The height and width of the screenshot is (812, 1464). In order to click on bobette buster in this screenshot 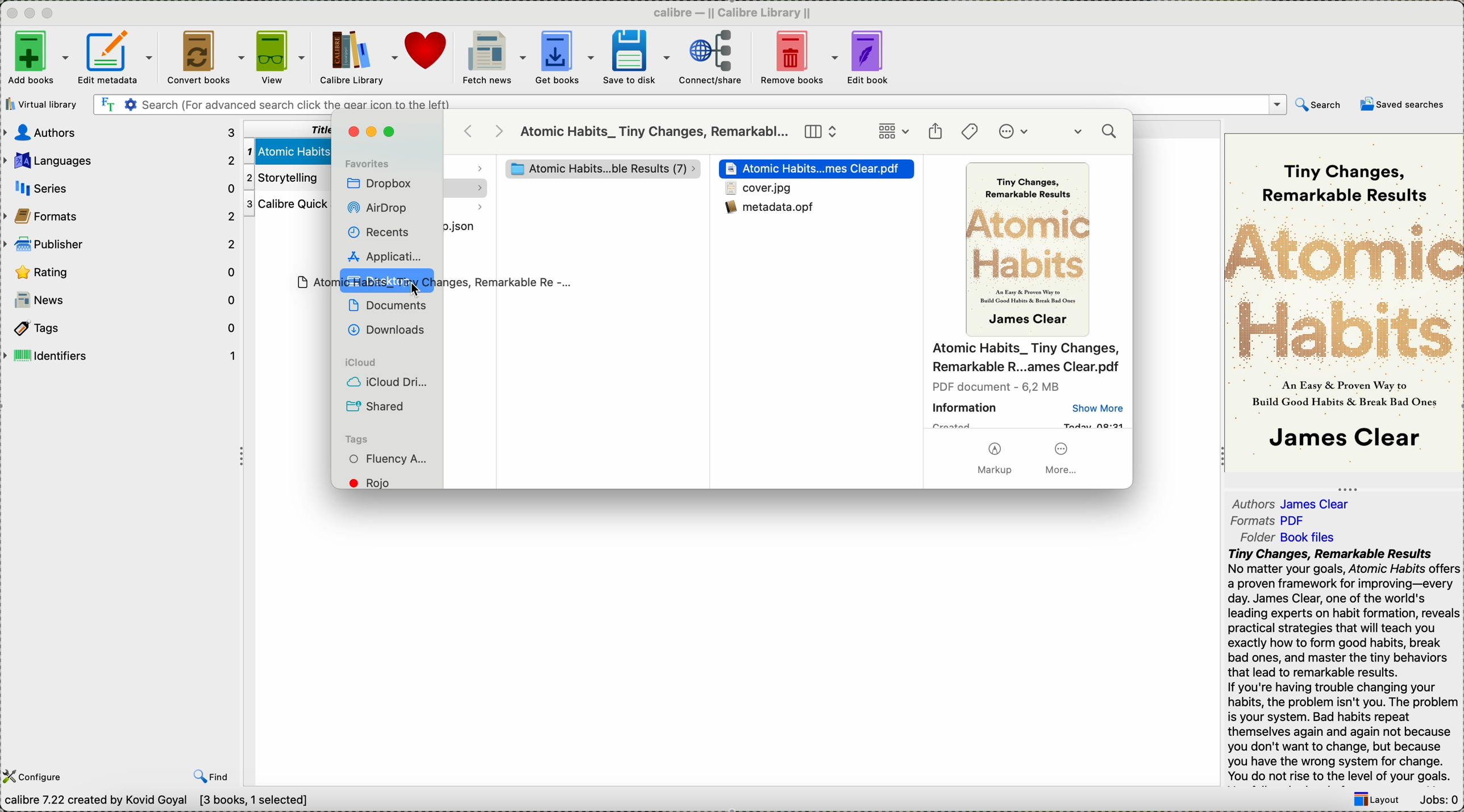, I will do `click(595, 169)`.